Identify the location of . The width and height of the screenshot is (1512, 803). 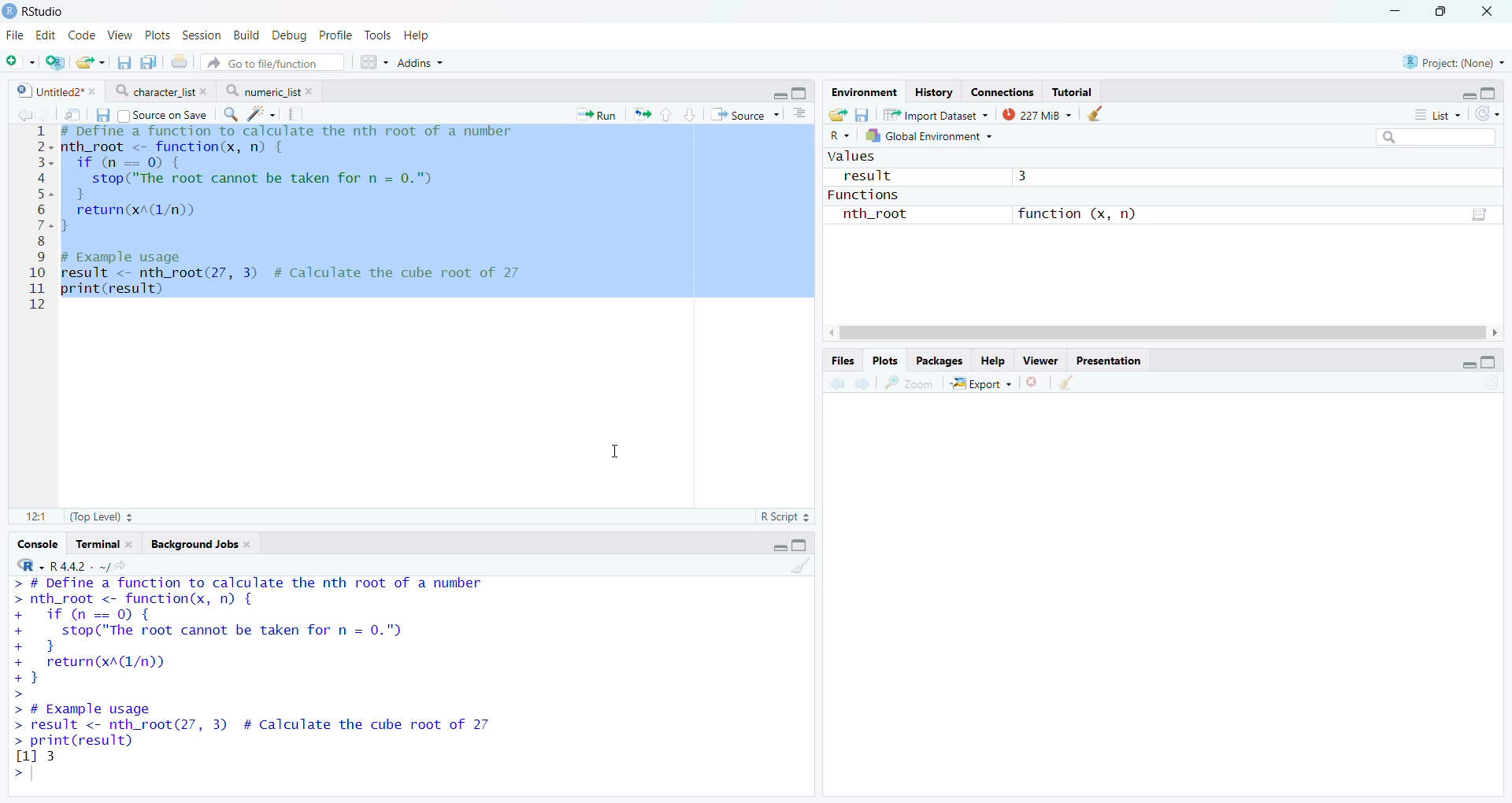
(993, 360).